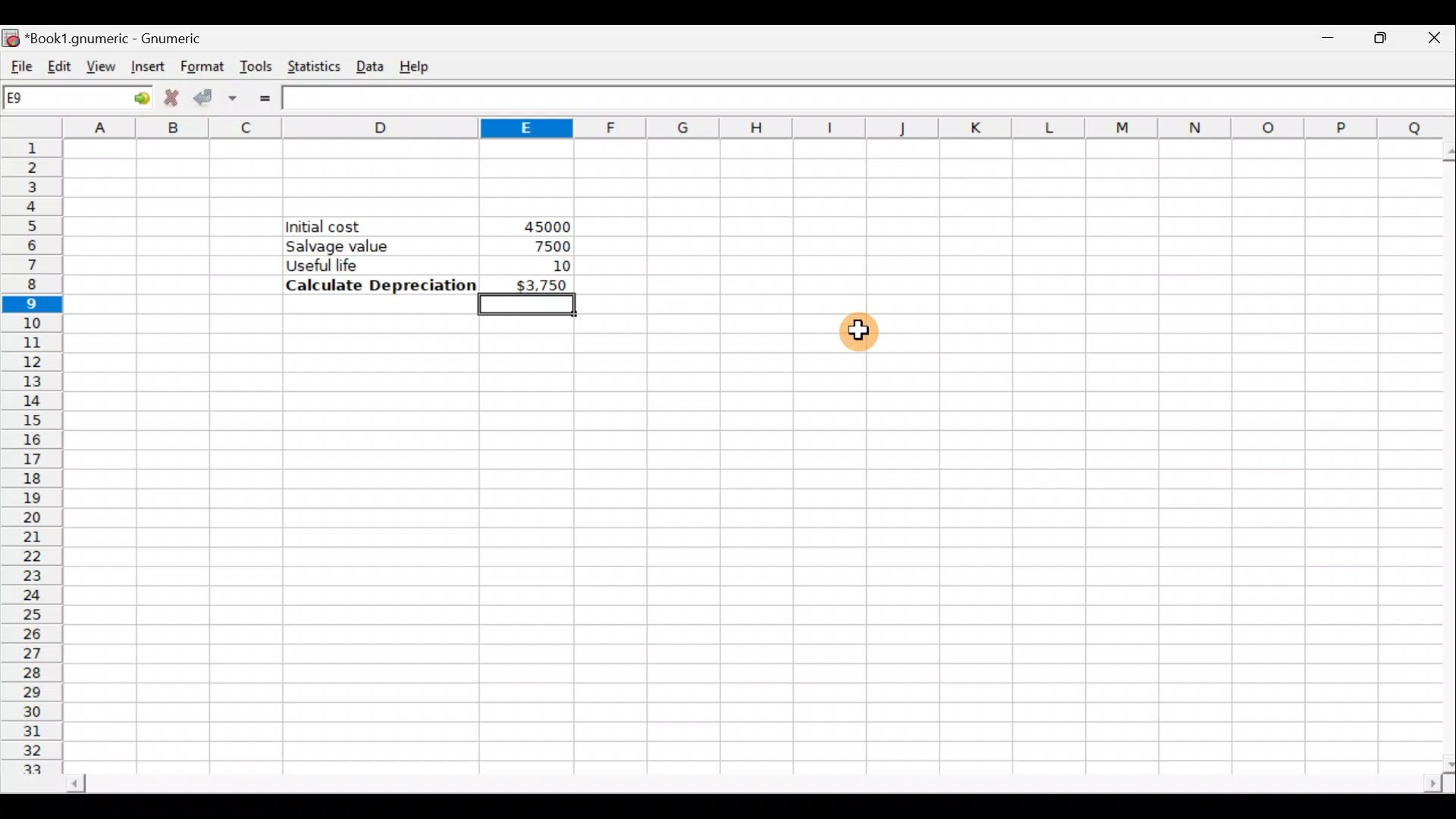  Describe the element at coordinates (1325, 42) in the screenshot. I see `Minimize` at that location.